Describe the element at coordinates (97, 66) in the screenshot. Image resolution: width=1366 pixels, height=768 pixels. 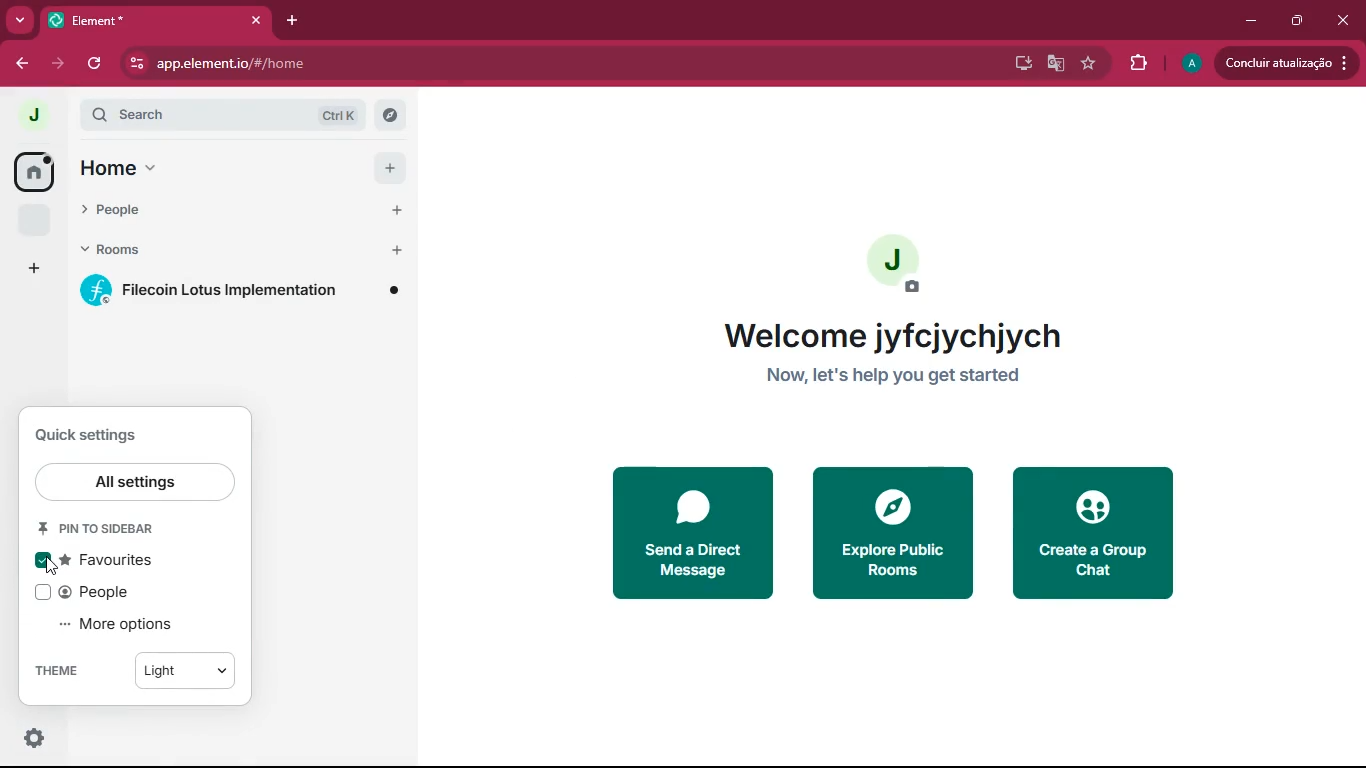
I see `refresh` at that location.